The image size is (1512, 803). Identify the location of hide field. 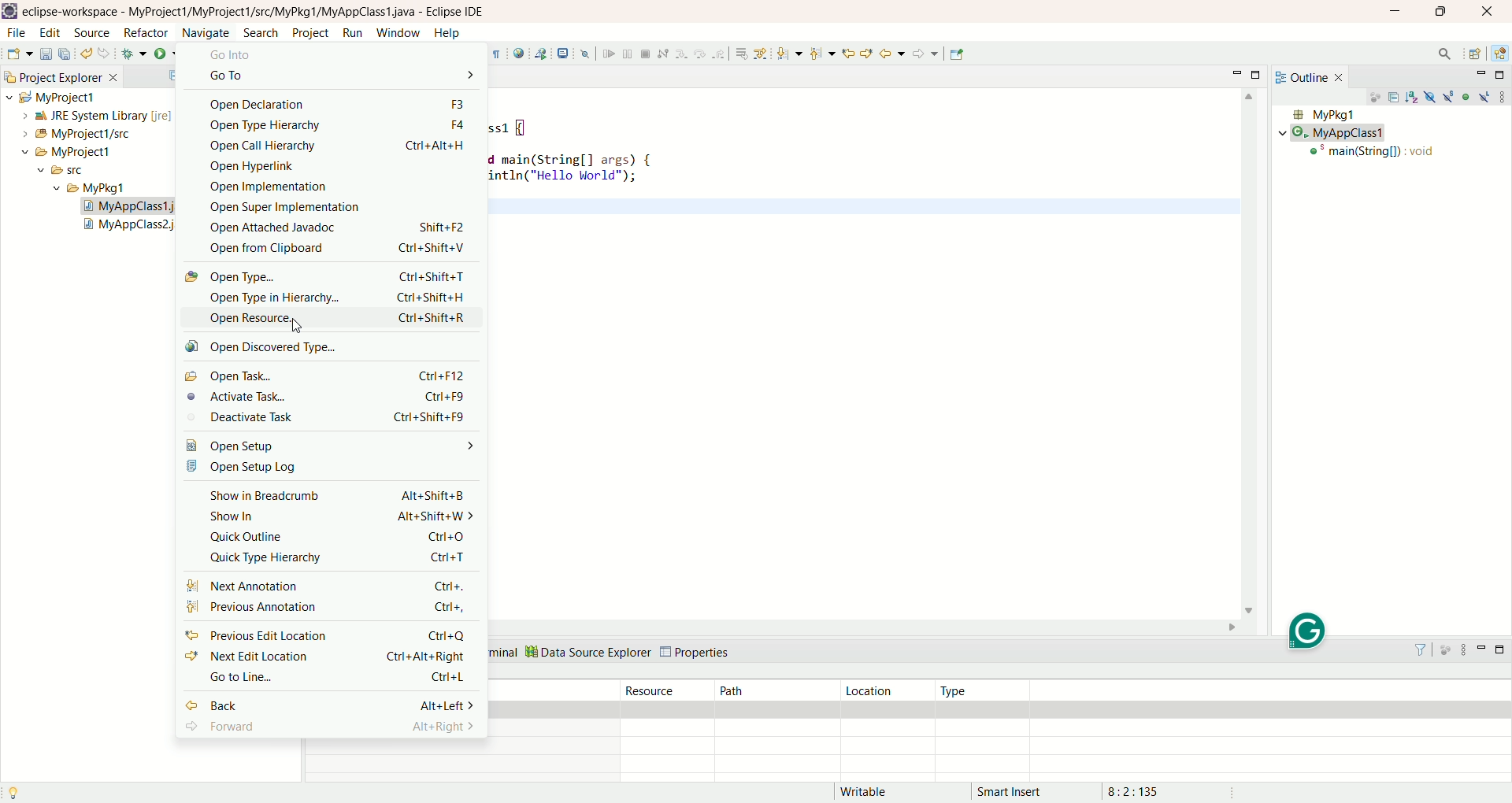
(1428, 96).